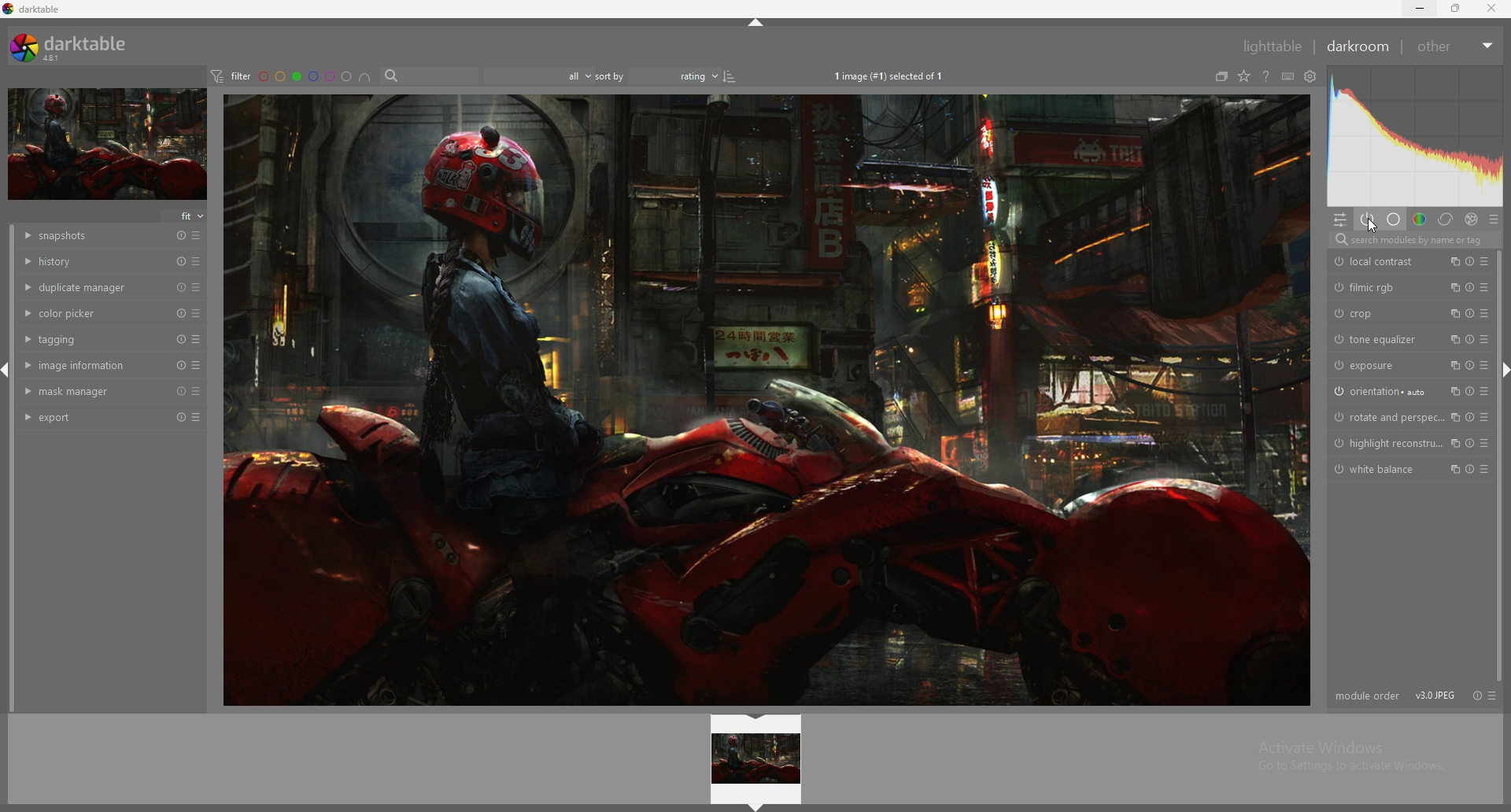  Describe the element at coordinates (93, 260) in the screenshot. I see `history` at that location.